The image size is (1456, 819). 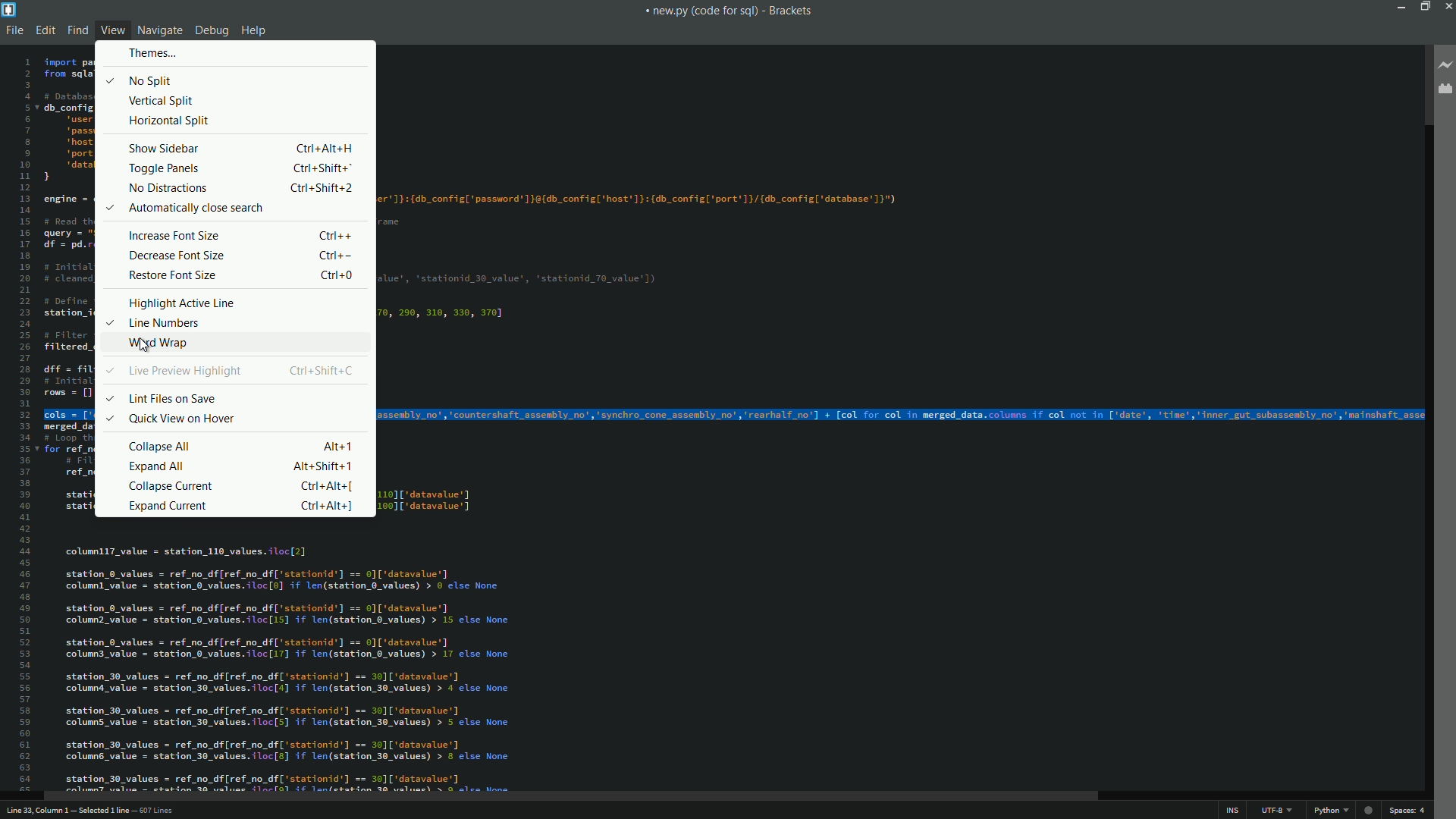 What do you see at coordinates (165, 148) in the screenshot?
I see `show sidebar` at bounding box center [165, 148].